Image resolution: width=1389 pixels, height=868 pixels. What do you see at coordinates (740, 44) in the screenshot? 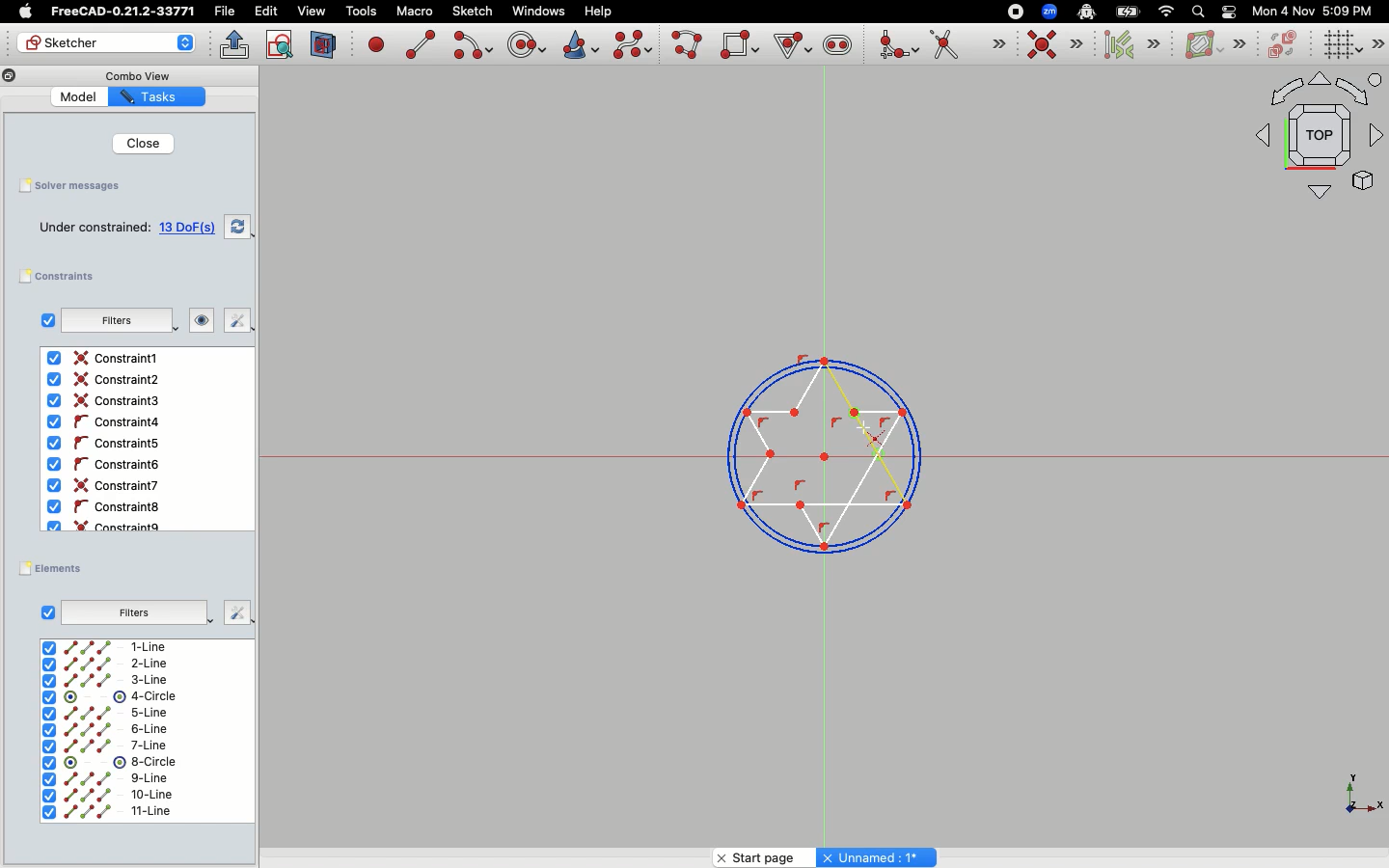
I see `Create rectangle` at bounding box center [740, 44].